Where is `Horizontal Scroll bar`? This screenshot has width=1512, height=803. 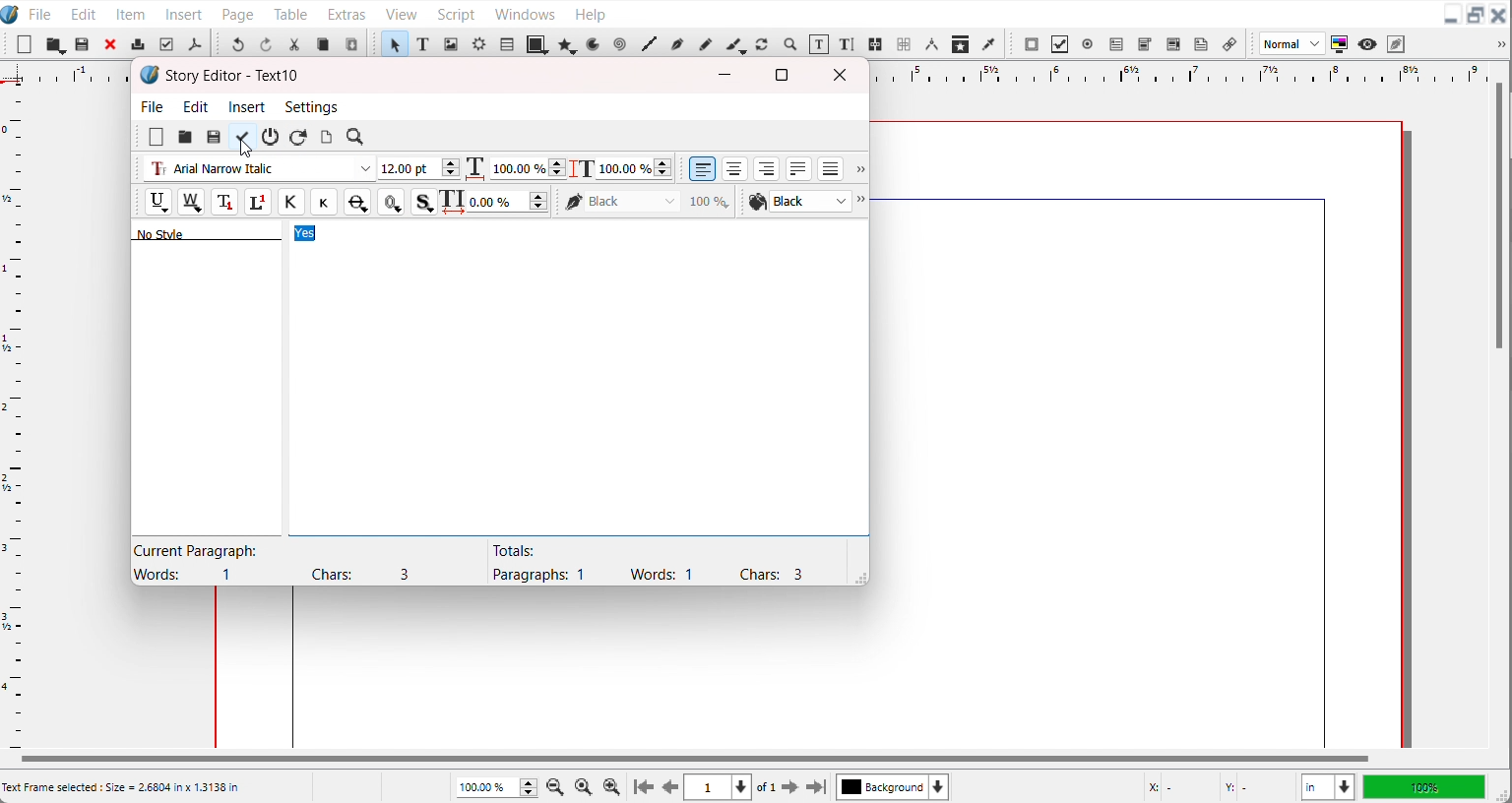 Horizontal Scroll bar is located at coordinates (692, 759).